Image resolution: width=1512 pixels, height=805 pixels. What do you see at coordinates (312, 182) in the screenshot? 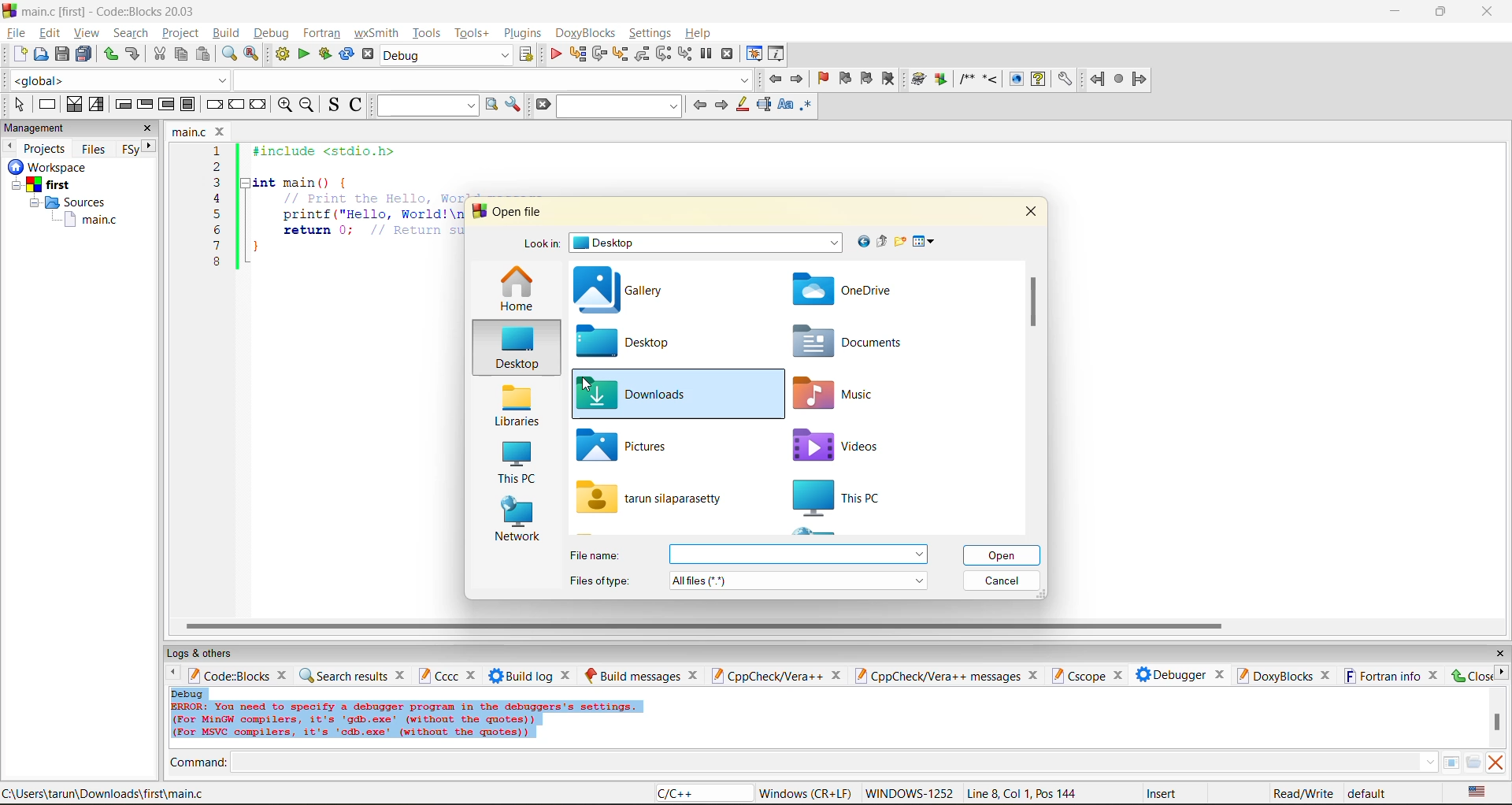
I see `int main(){` at bounding box center [312, 182].